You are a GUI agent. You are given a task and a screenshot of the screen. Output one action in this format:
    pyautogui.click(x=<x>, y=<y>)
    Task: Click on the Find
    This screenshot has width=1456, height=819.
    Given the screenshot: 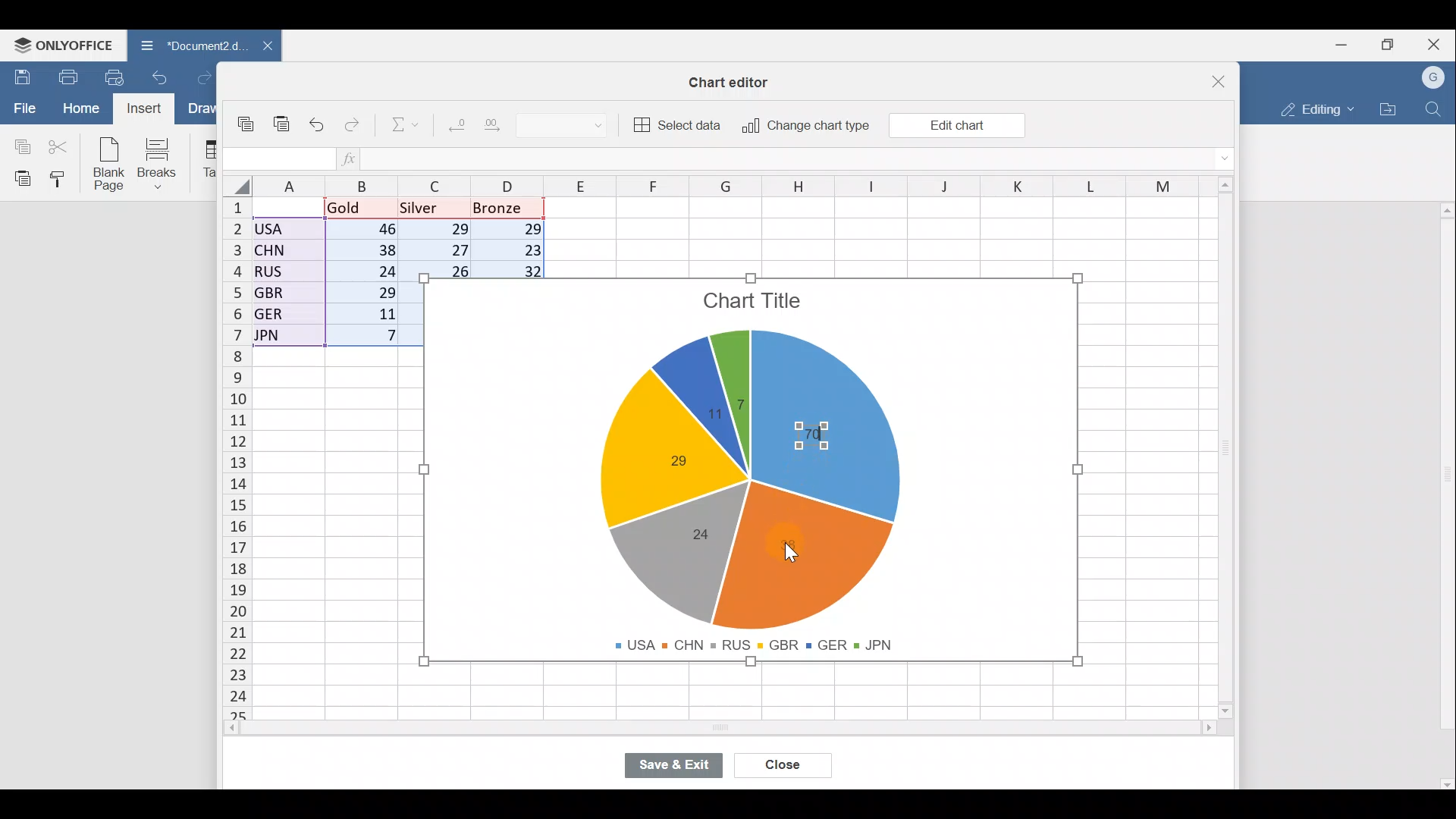 What is the action you would take?
    pyautogui.click(x=1436, y=106)
    